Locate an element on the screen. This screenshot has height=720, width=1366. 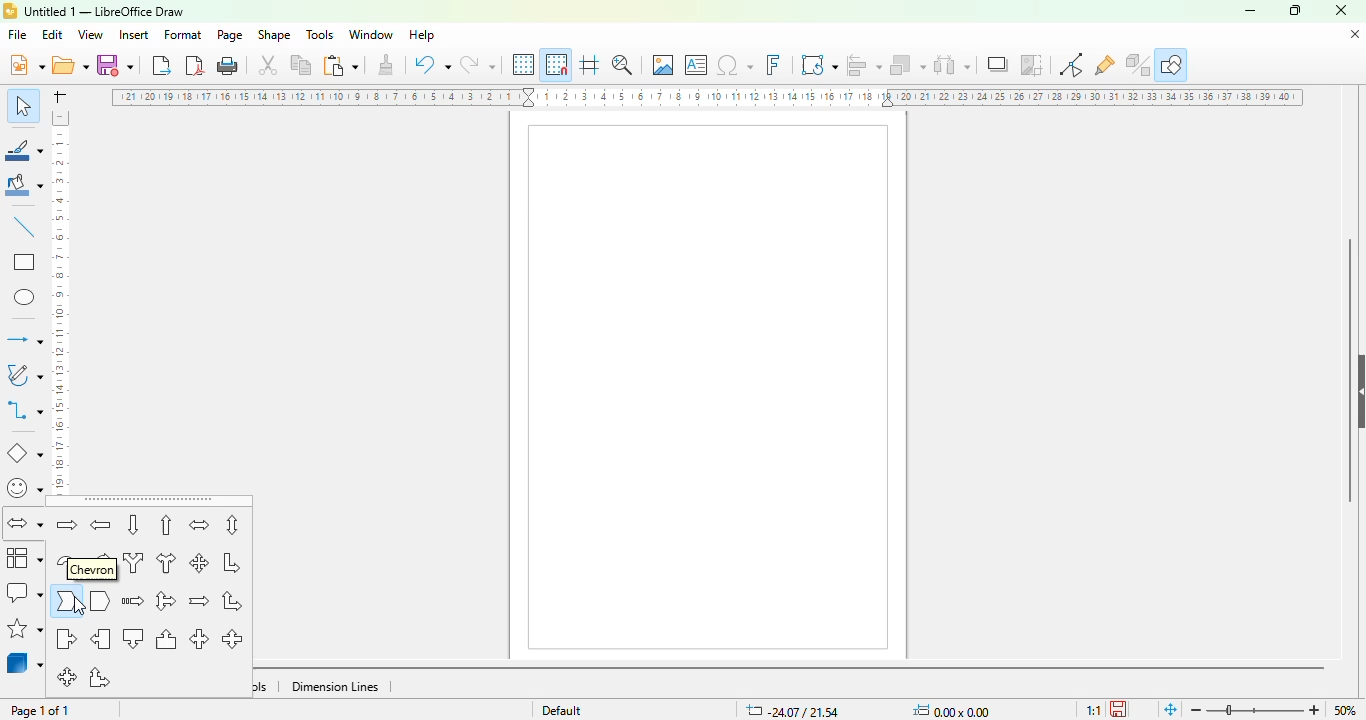
default is located at coordinates (562, 710).